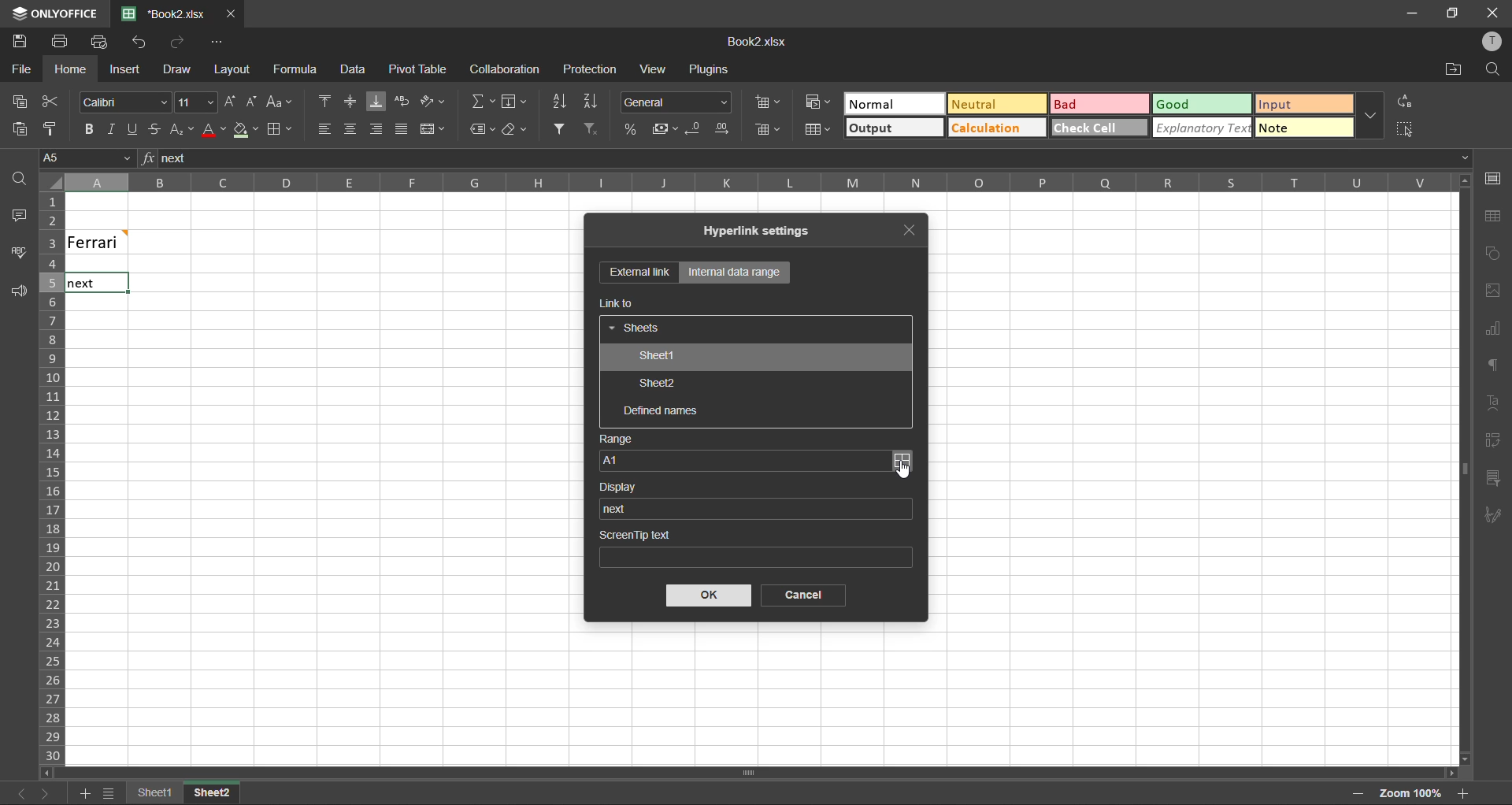 This screenshot has height=805, width=1512. Describe the element at coordinates (724, 128) in the screenshot. I see `increase decimal` at that location.